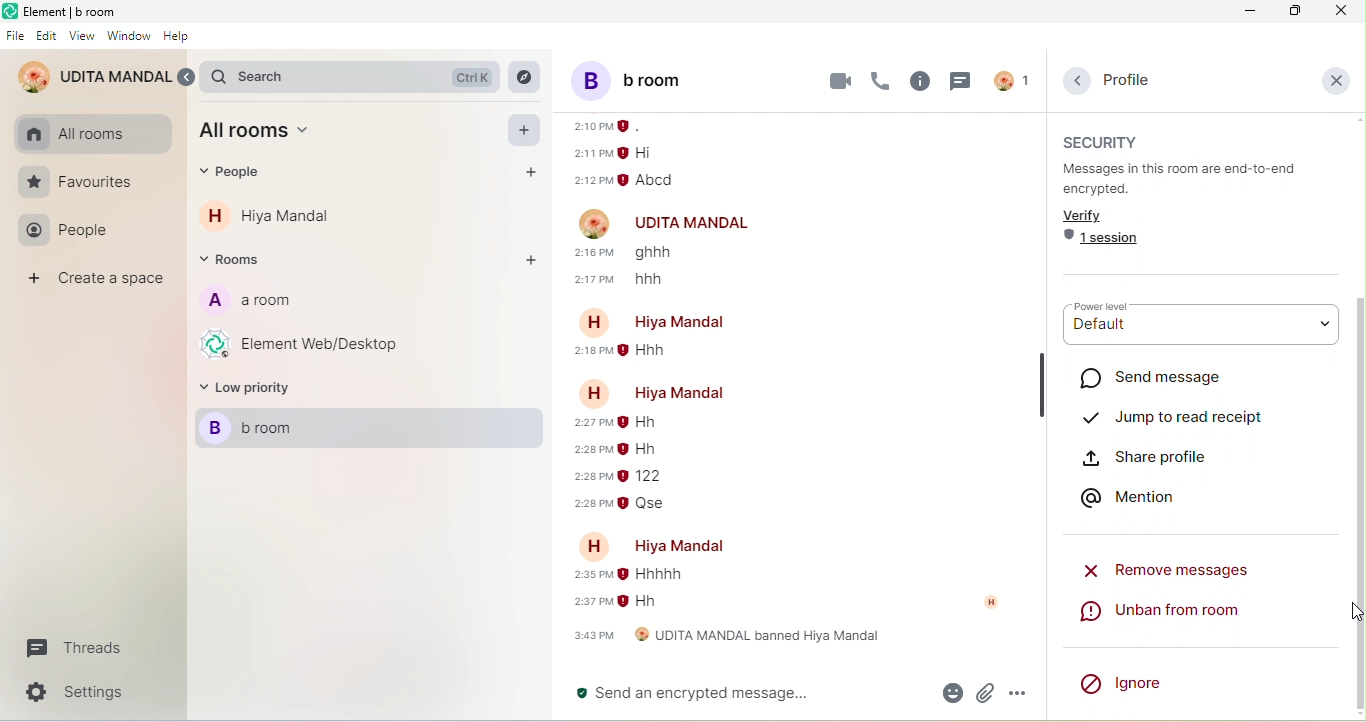  Describe the element at coordinates (591, 477) in the screenshot. I see `sending message time` at that location.